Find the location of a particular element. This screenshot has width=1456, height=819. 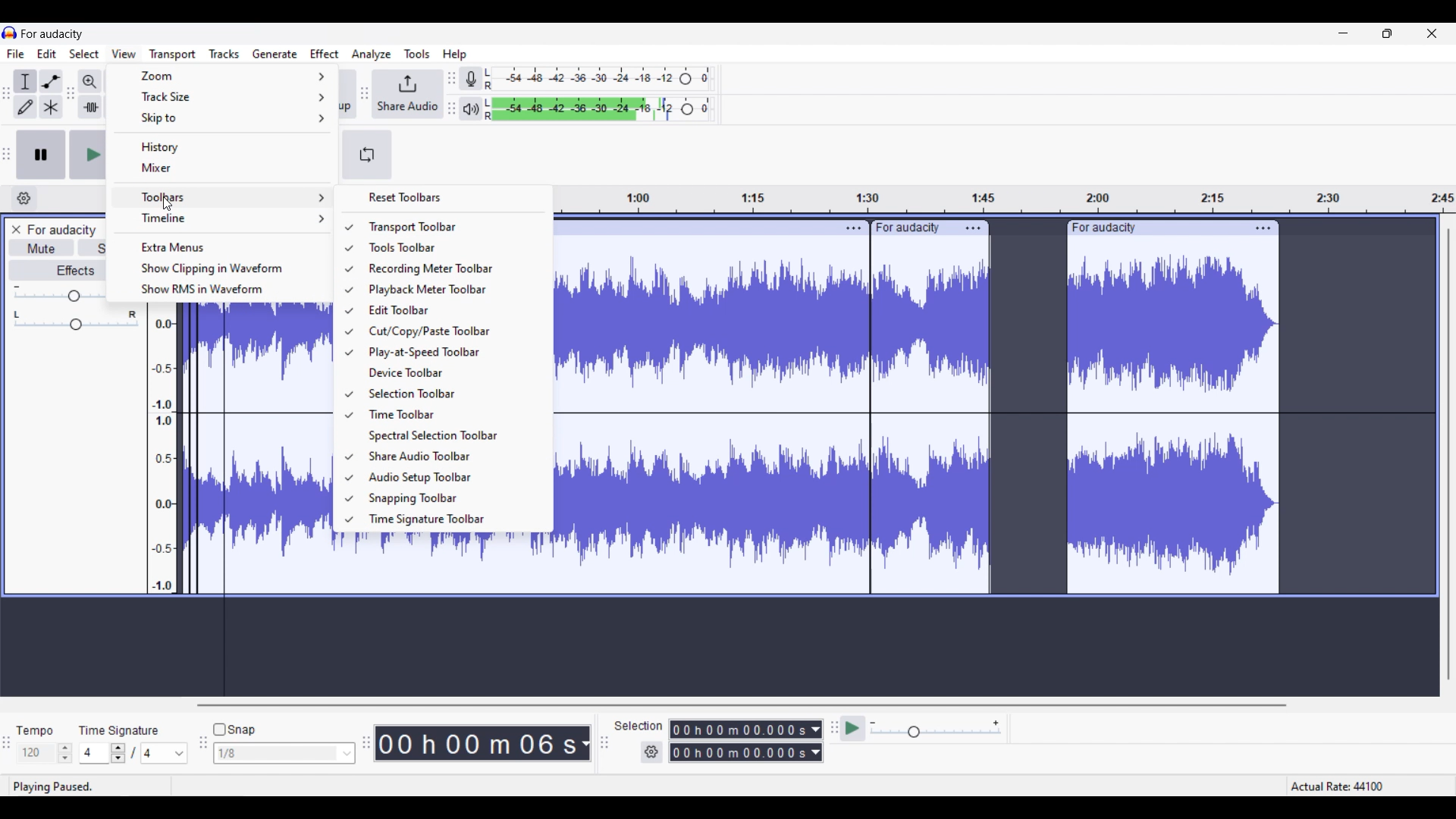

Playback level is located at coordinates (598, 109).